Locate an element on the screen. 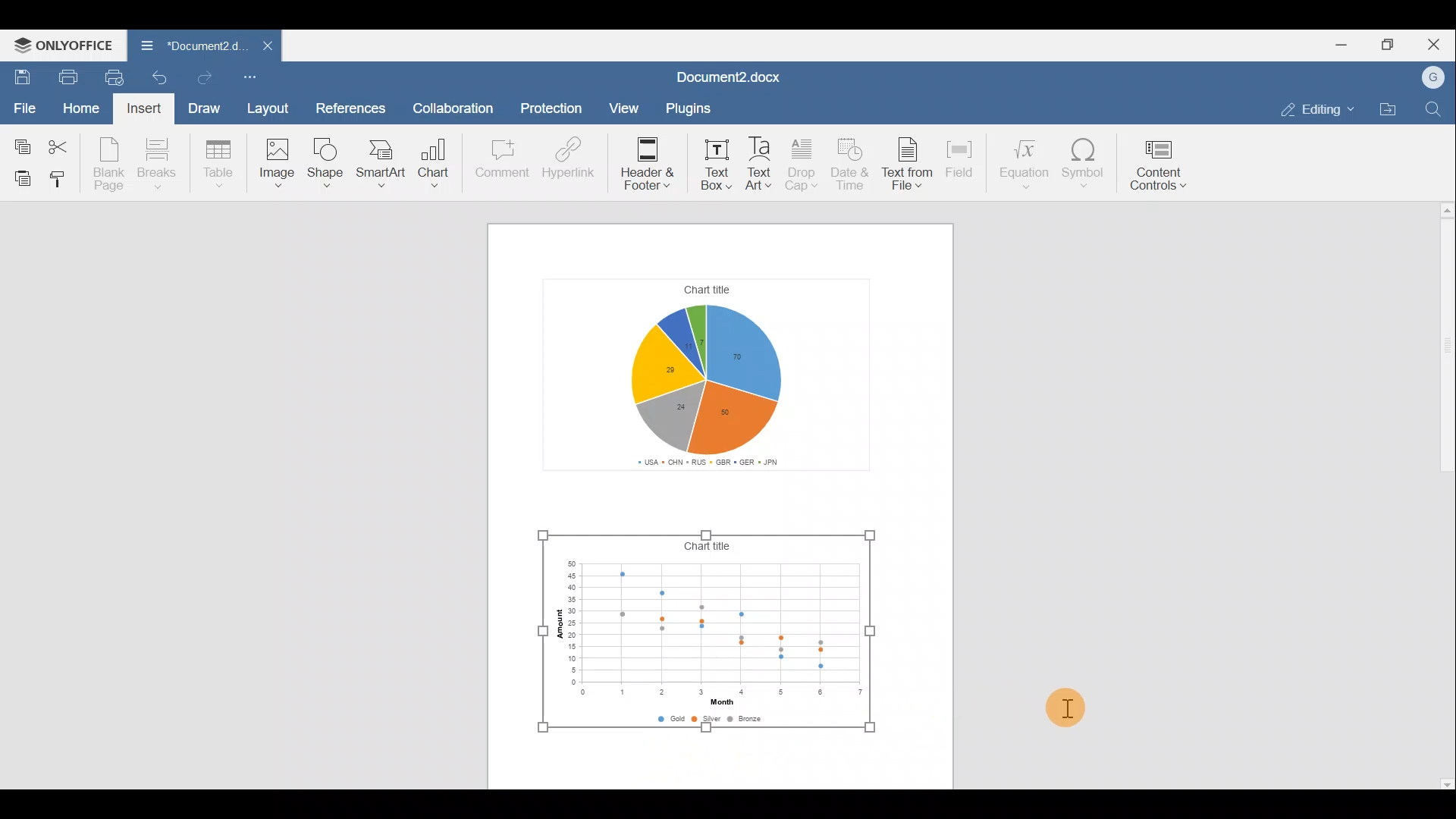 The height and width of the screenshot is (819, 1456). Text box is located at coordinates (711, 162).